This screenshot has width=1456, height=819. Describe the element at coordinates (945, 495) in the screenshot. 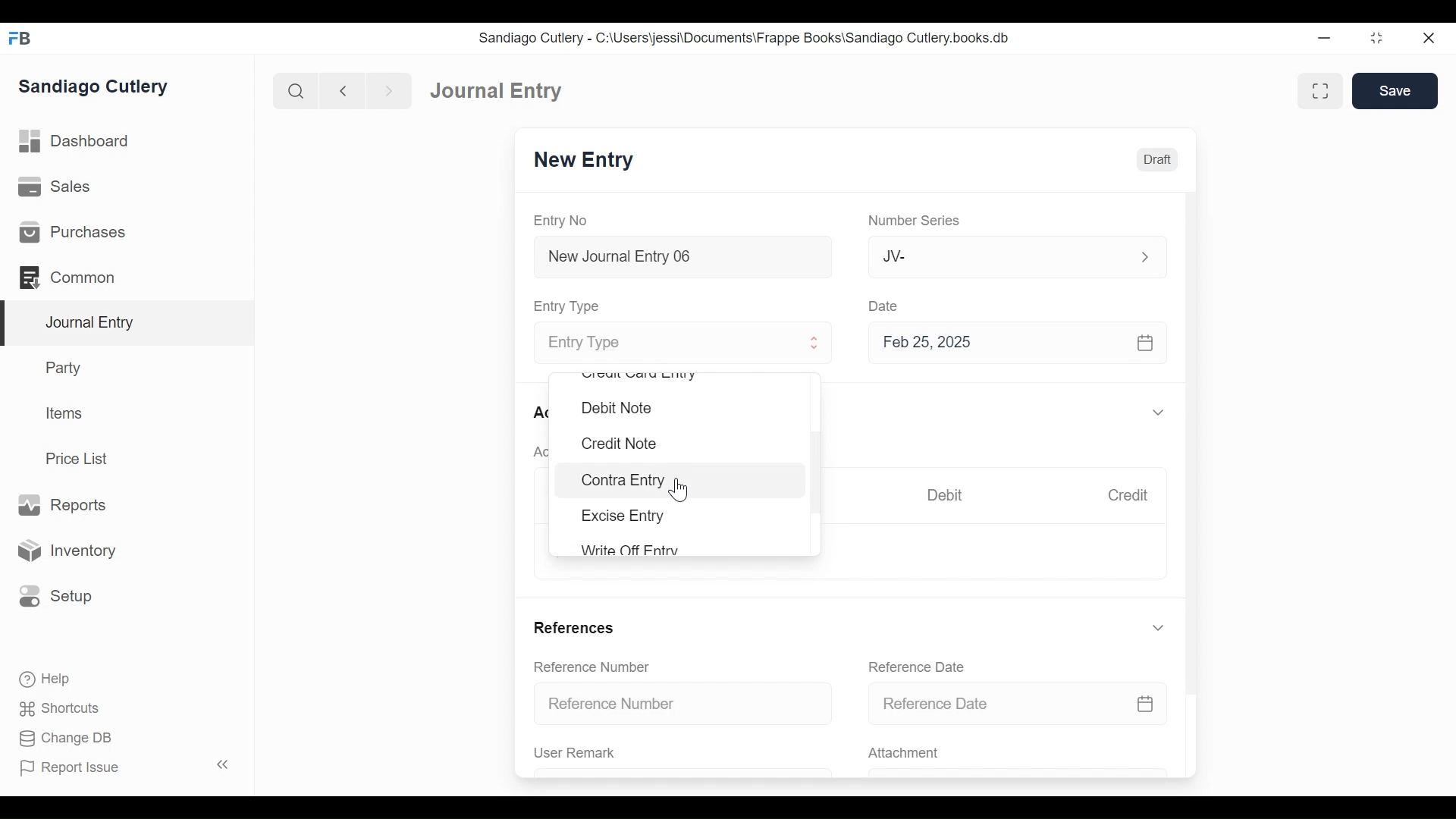

I see `Debit` at that location.